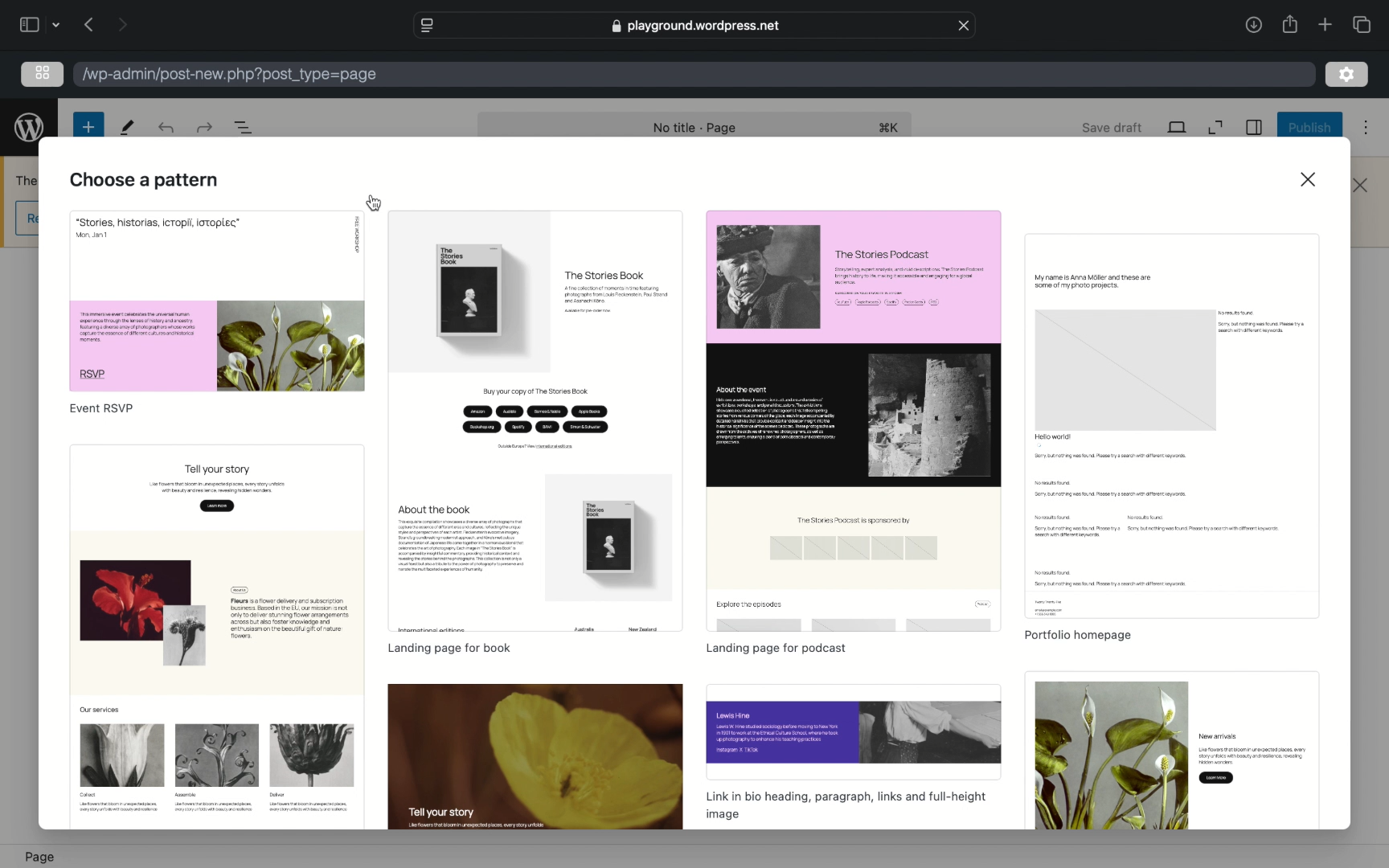 The width and height of the screenshot is (1389, 868). What do you see at coordinates (145, 179) in the screenshot?
I see `choose a pattern` at bounding box center [145, 179].